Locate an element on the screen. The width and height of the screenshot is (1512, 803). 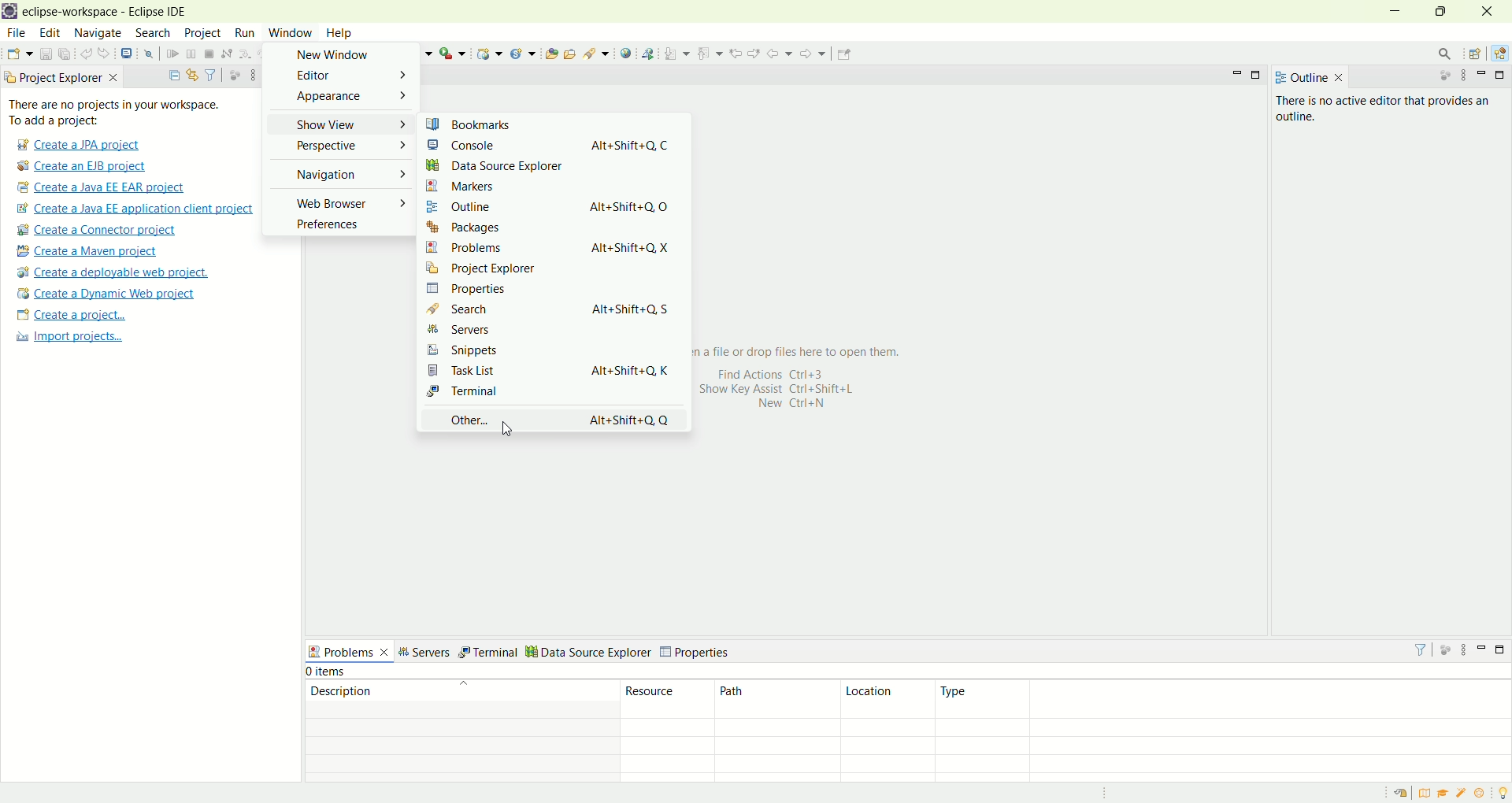
minimize is located at coordinates (1479, 650).